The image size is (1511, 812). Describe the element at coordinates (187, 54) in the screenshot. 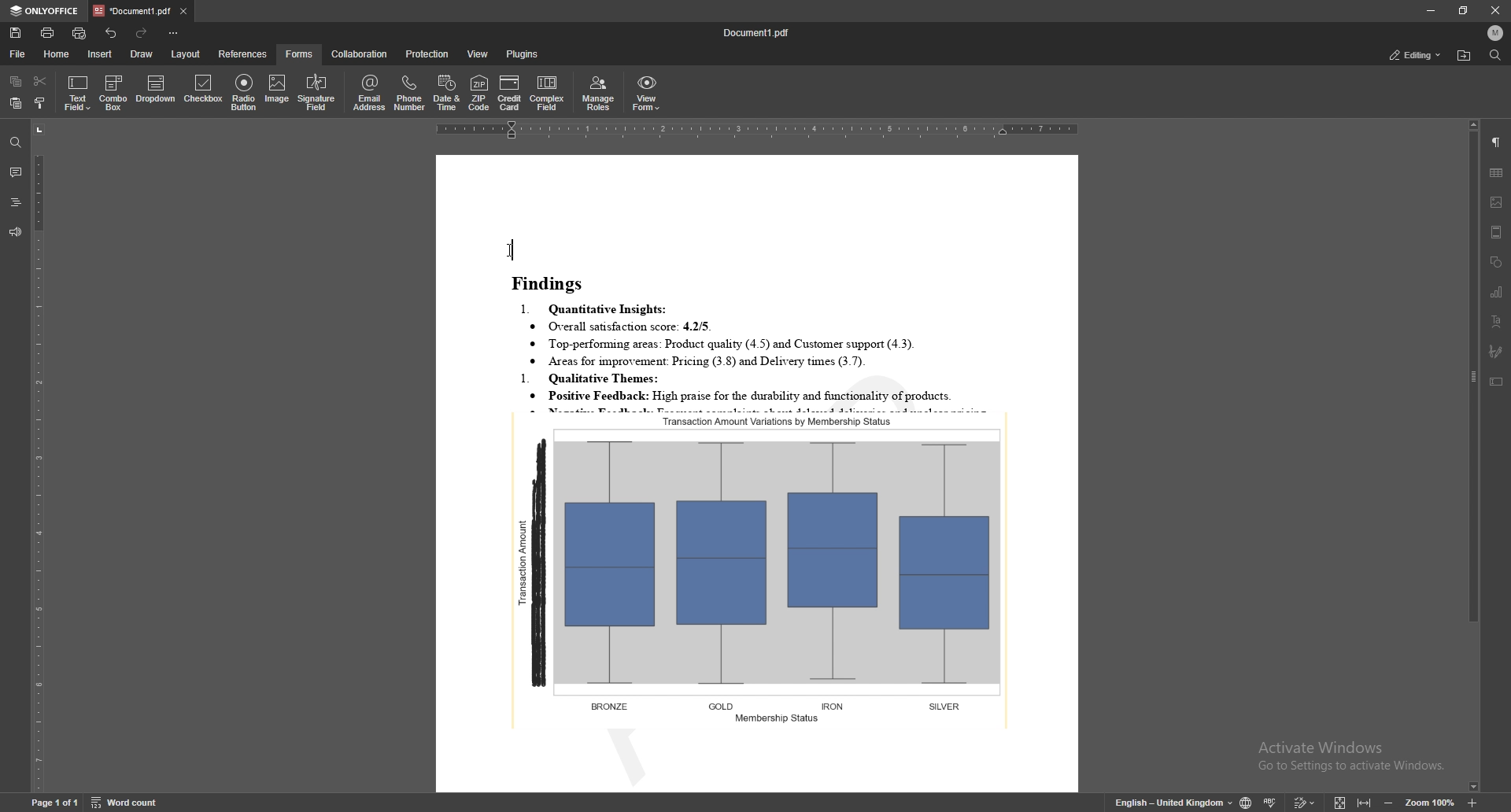

I see `layout` at that location.